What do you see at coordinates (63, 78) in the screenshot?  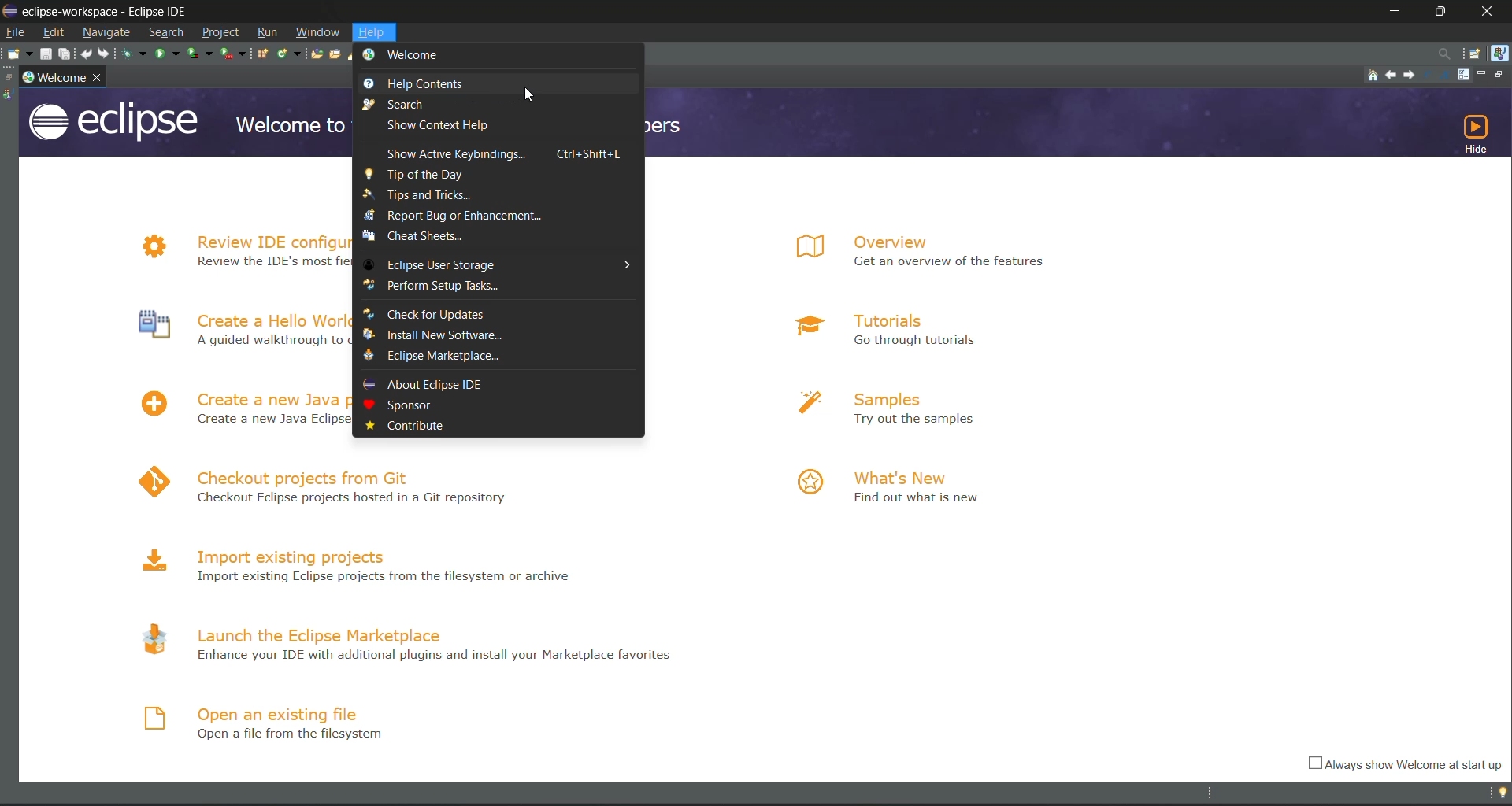 I see `workspace` at bounding box center [63, 78].